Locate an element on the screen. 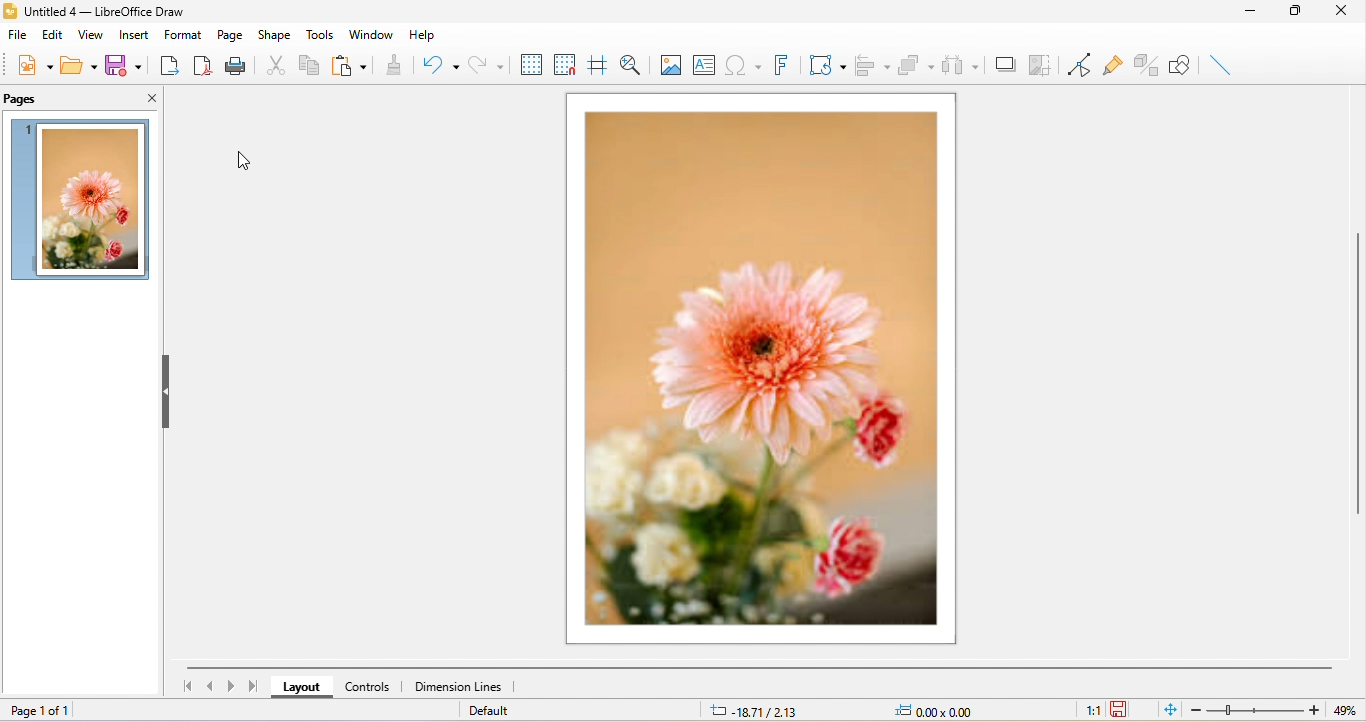 The width and height of the screenshot is (1366, 722). open is located at coordinates (82, 71).